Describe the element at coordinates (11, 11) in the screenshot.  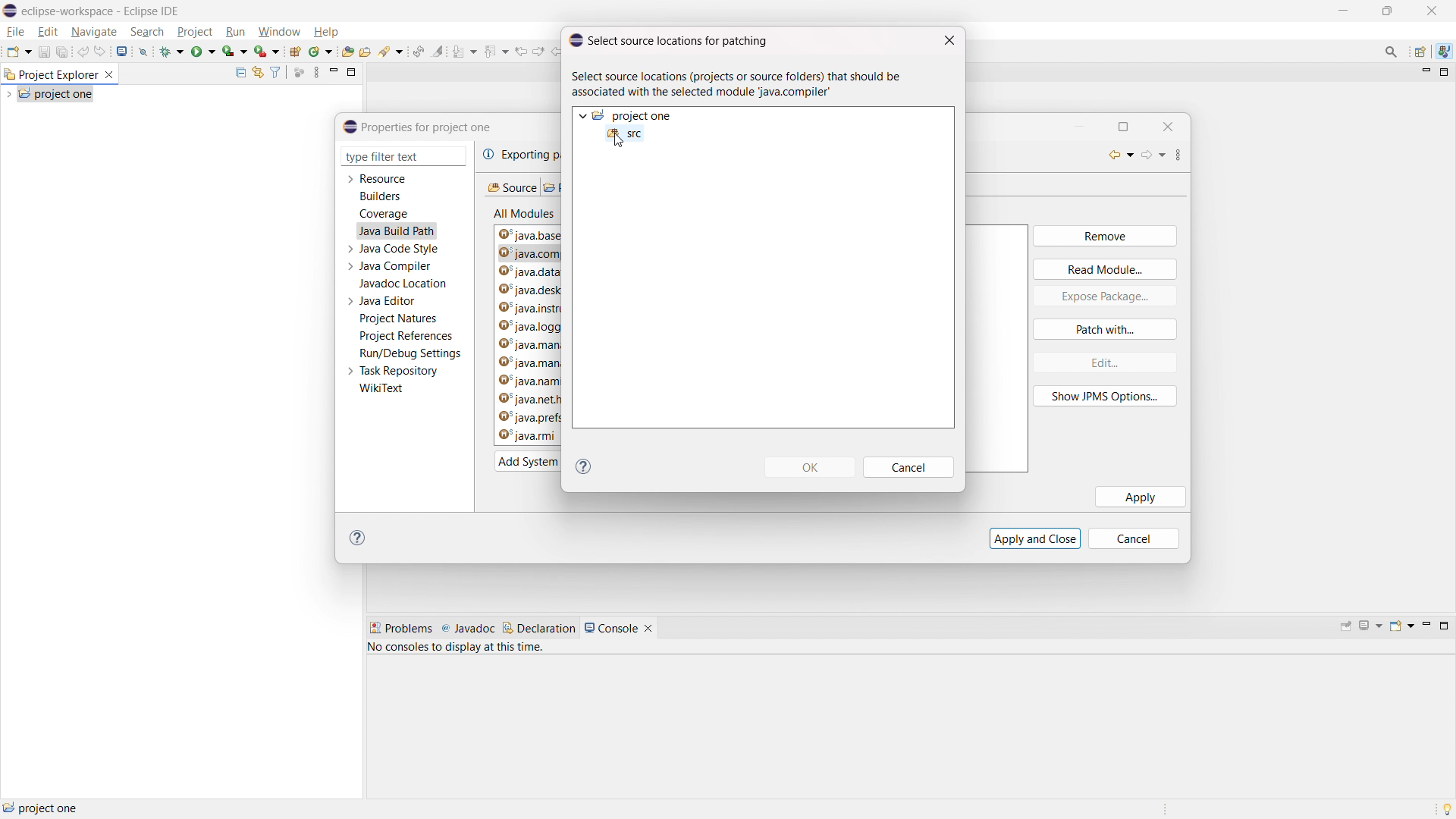
I see `logo` at that location.